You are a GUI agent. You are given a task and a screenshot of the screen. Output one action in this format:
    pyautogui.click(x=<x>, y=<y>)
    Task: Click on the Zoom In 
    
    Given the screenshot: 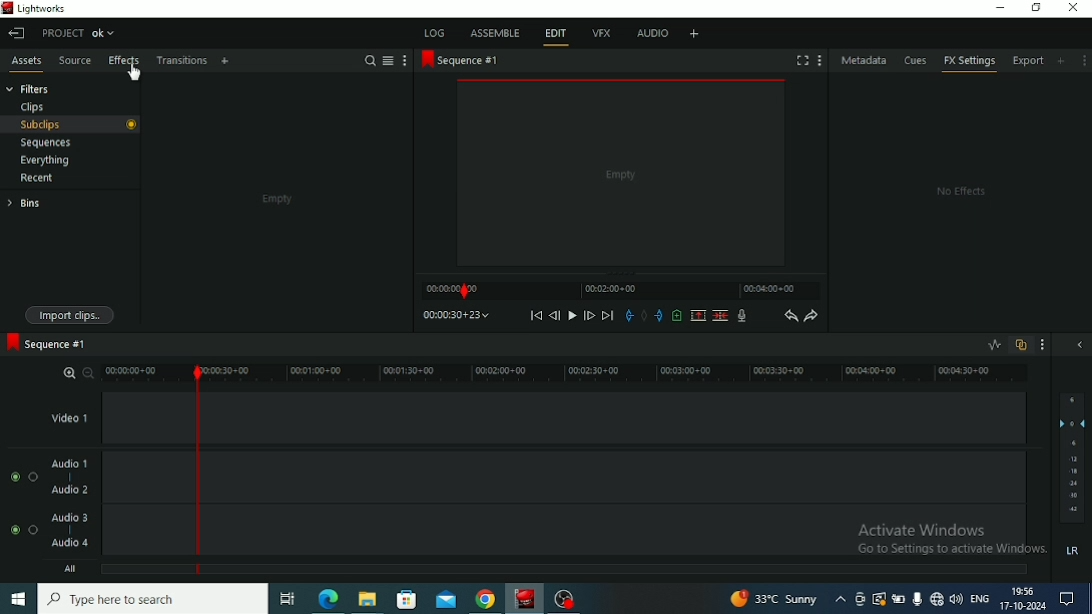 What is the action you would take?
    pyautogui.click(x=70, y=371)
    